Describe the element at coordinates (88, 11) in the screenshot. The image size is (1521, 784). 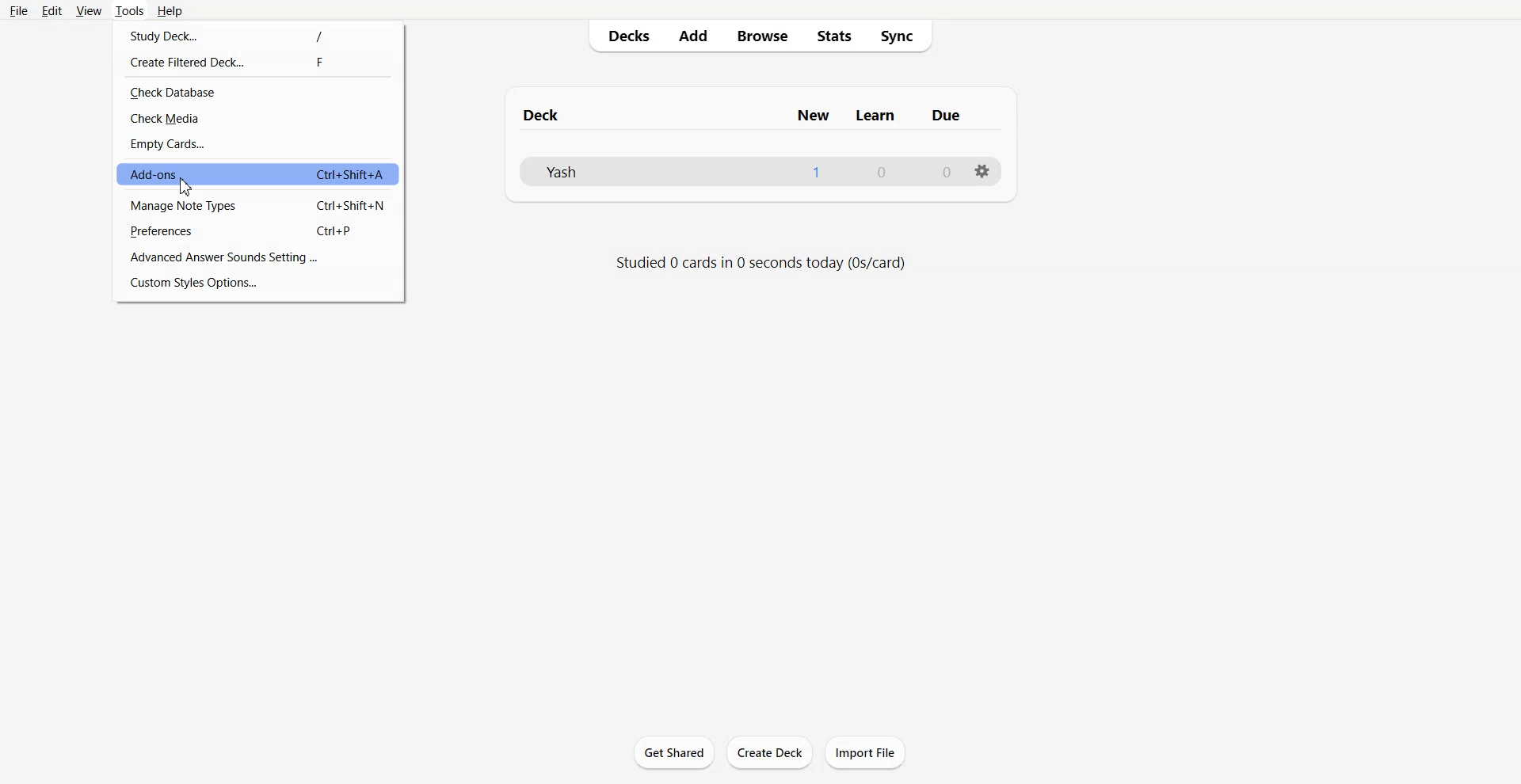
I see `View` at that location.